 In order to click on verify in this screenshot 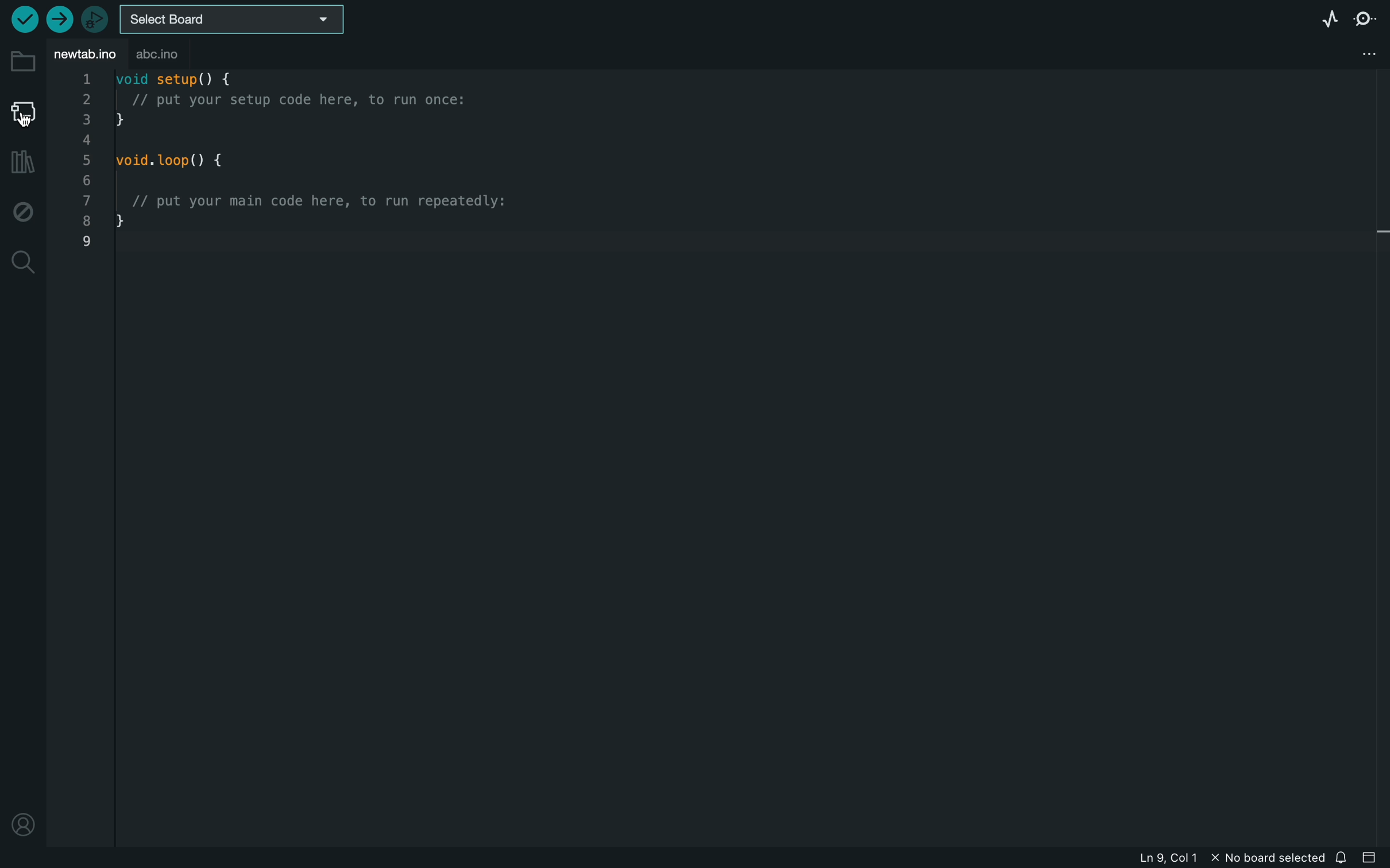, I will do `click(24, 19)`.